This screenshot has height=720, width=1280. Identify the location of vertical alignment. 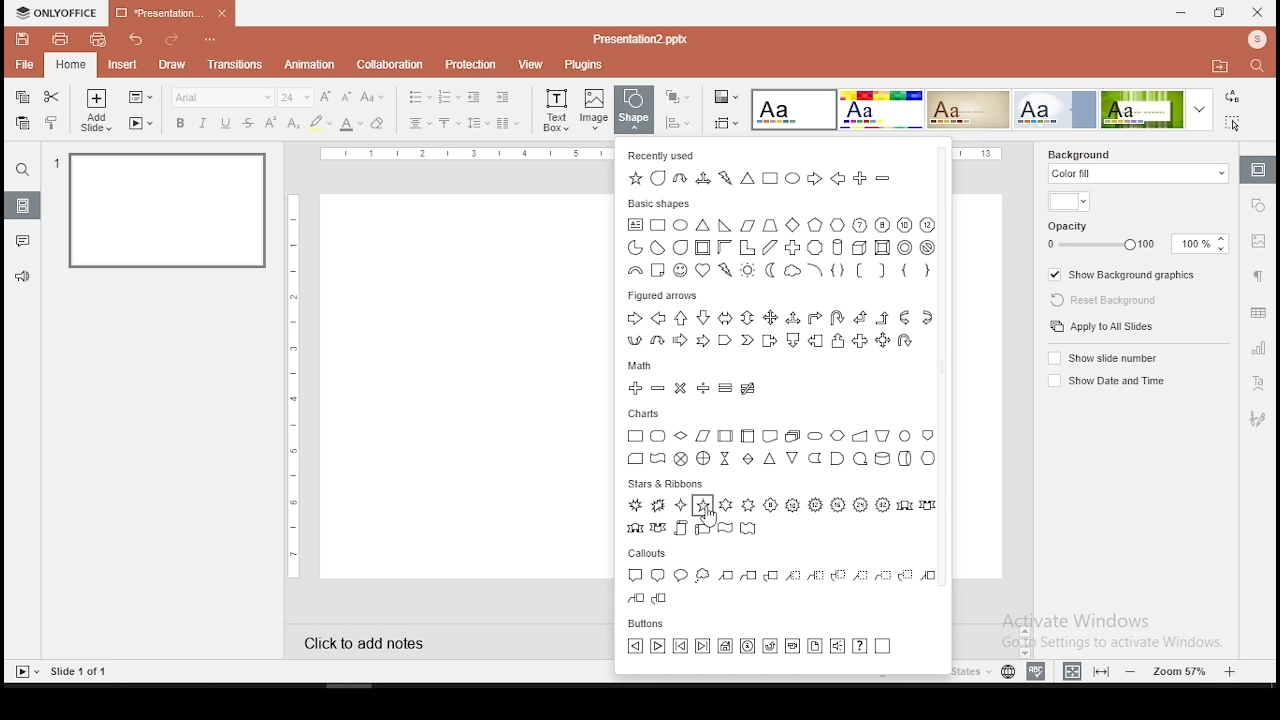
(448, 124).